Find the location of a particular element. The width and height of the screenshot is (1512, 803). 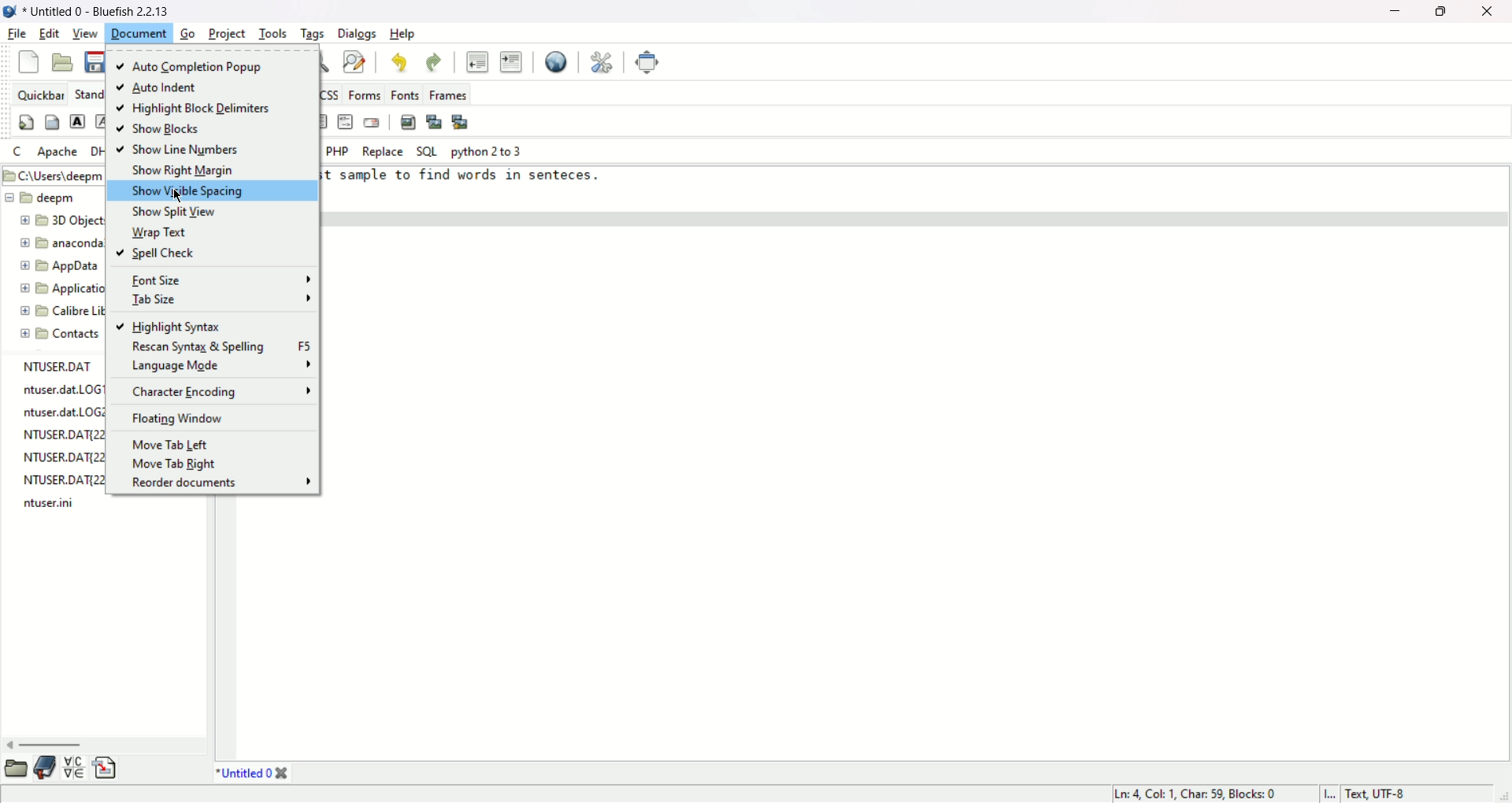

view in browser is located at coordinates (553, 63).